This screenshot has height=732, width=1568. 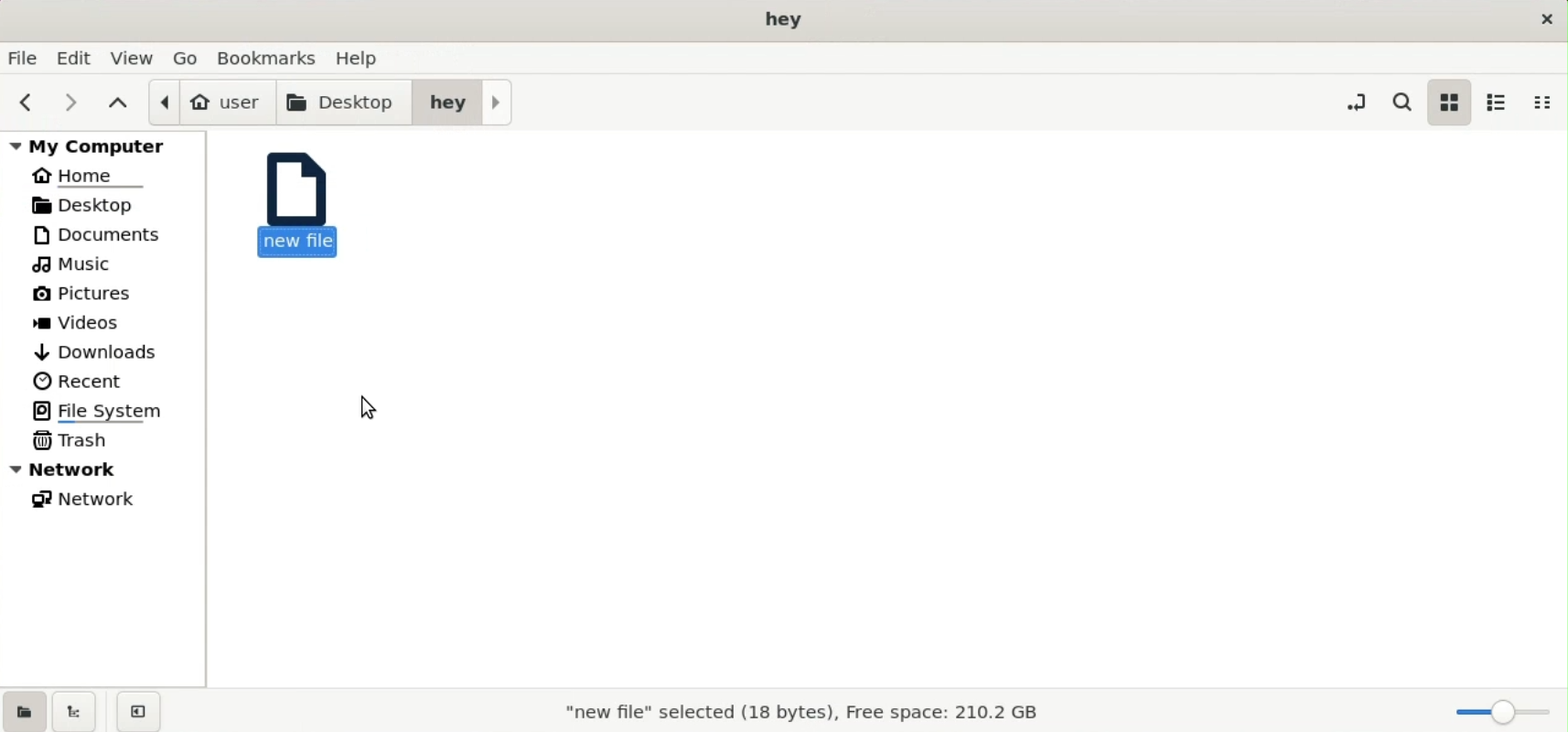 What do you see at coordinates (91, 297) in the screenshot?
I see `pictures` at bounding box center [91, 297].